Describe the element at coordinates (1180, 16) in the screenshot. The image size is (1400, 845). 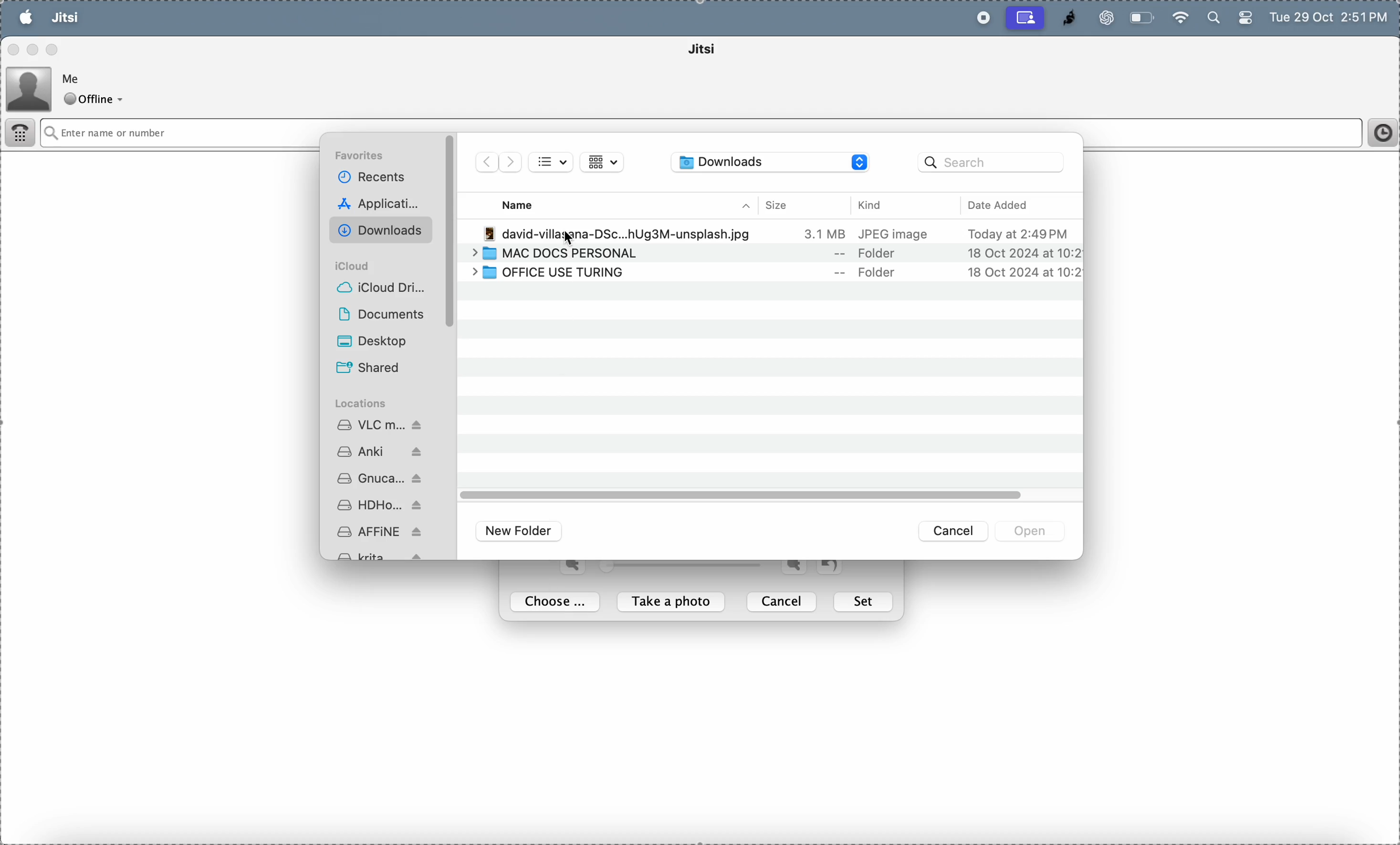
I see `wifi` at that location.